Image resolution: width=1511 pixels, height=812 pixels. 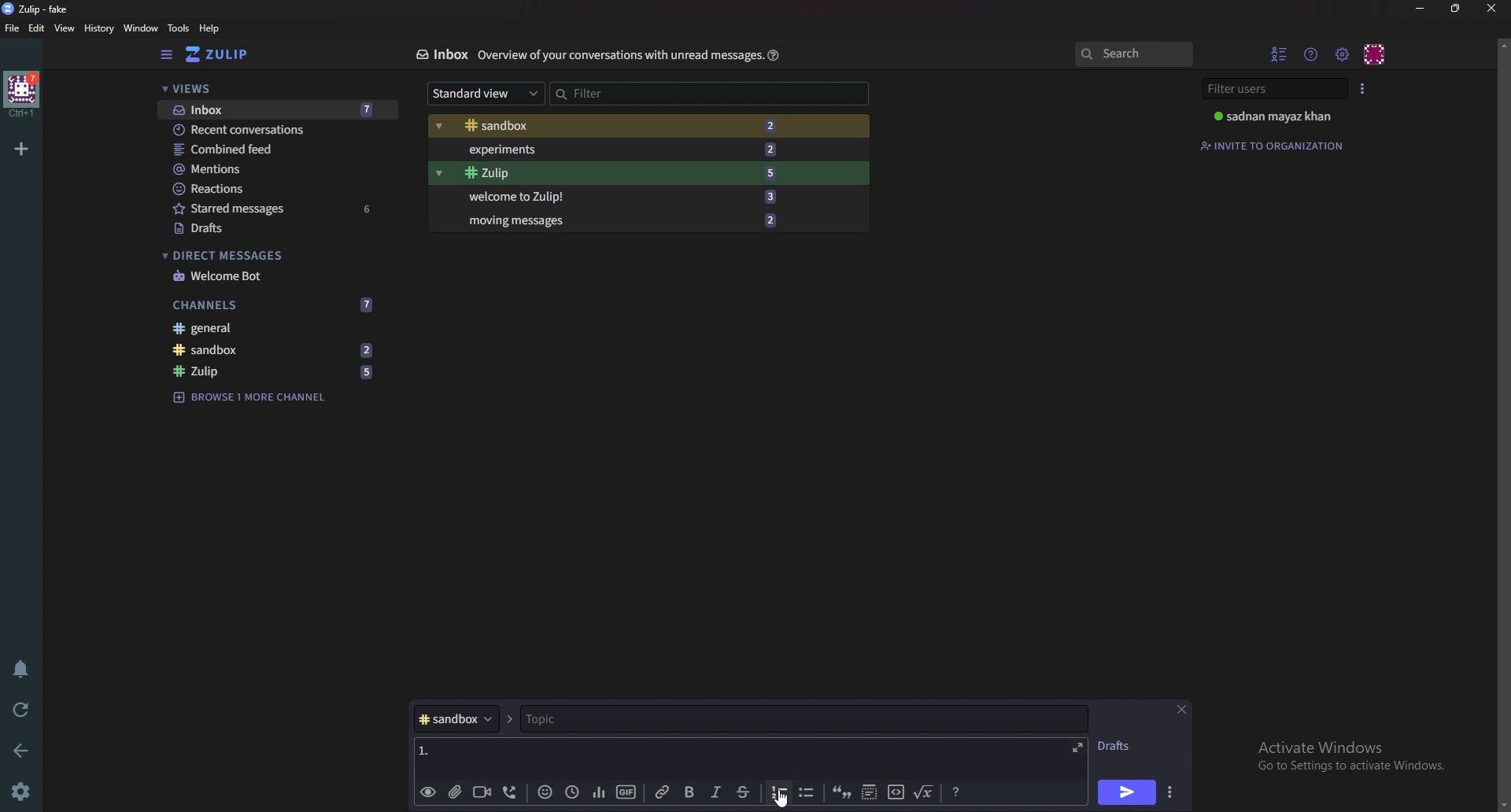 I want to click on bold, so click(x=688, y=792).